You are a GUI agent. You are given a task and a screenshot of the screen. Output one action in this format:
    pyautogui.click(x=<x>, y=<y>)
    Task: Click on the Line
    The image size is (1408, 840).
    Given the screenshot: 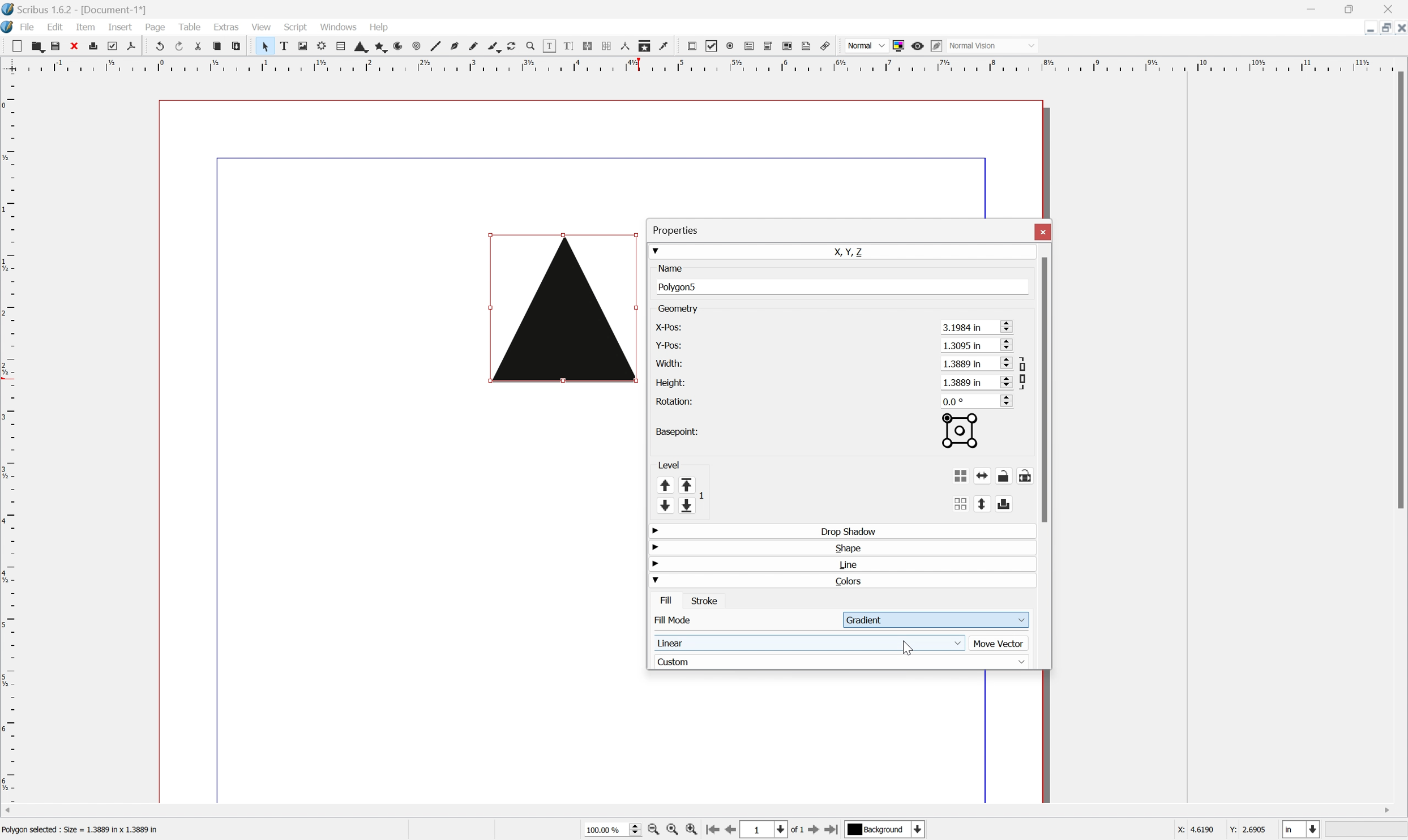 What is the action you would take?
    pyautogui.click(x=854, y=564)
    